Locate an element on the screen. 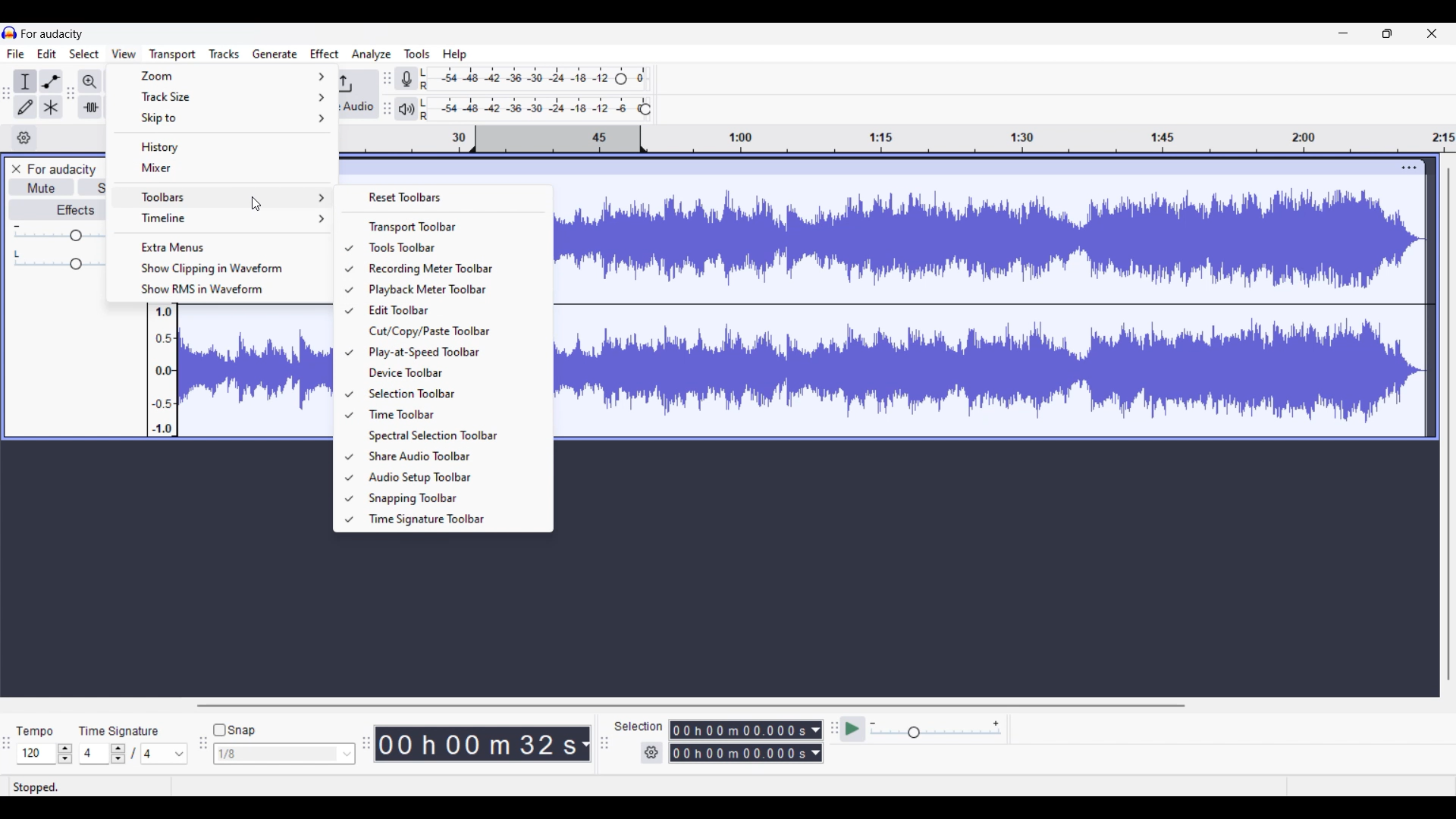 The width and height of the screenshot is (1456, 819). Playback meter is located at coordinates (406, 109).